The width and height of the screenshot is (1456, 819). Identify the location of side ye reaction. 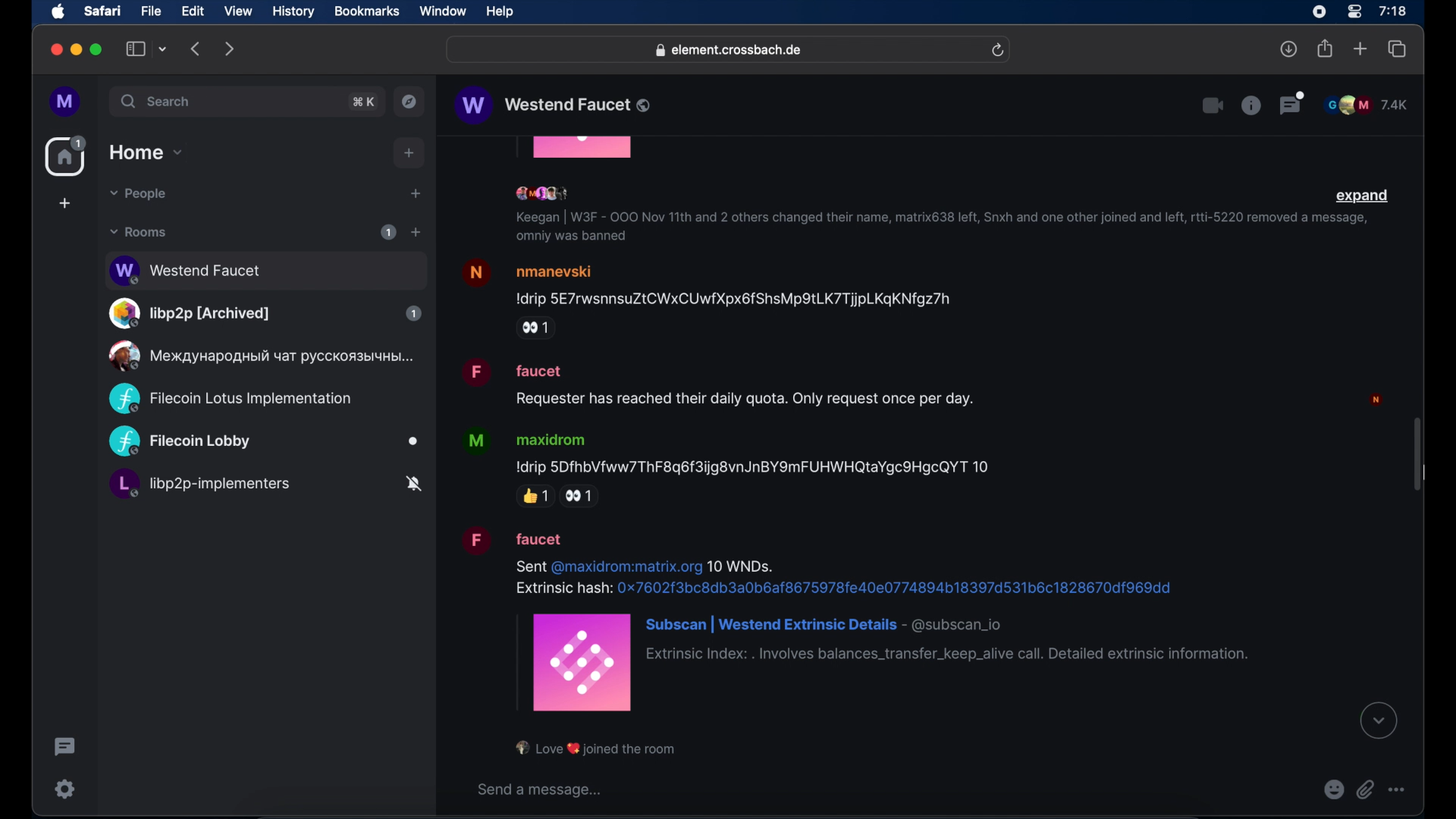
(583, 497).